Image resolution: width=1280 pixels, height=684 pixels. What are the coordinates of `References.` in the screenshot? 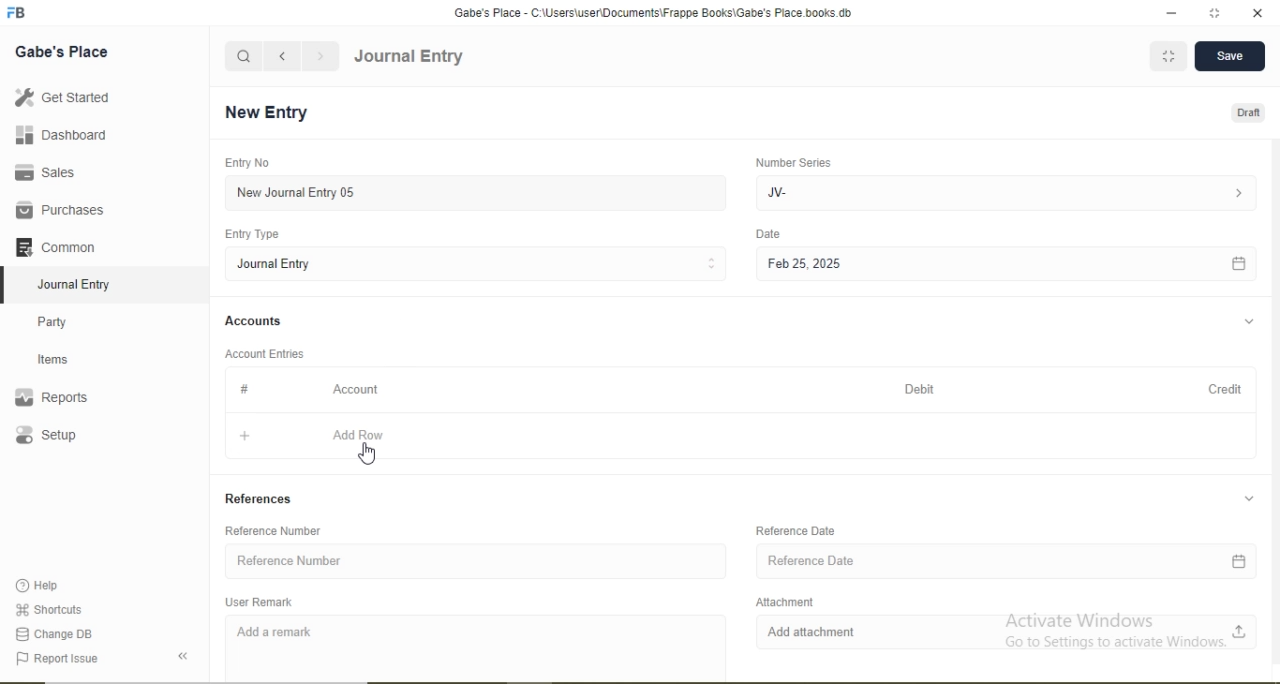 It's located at (259, 500).